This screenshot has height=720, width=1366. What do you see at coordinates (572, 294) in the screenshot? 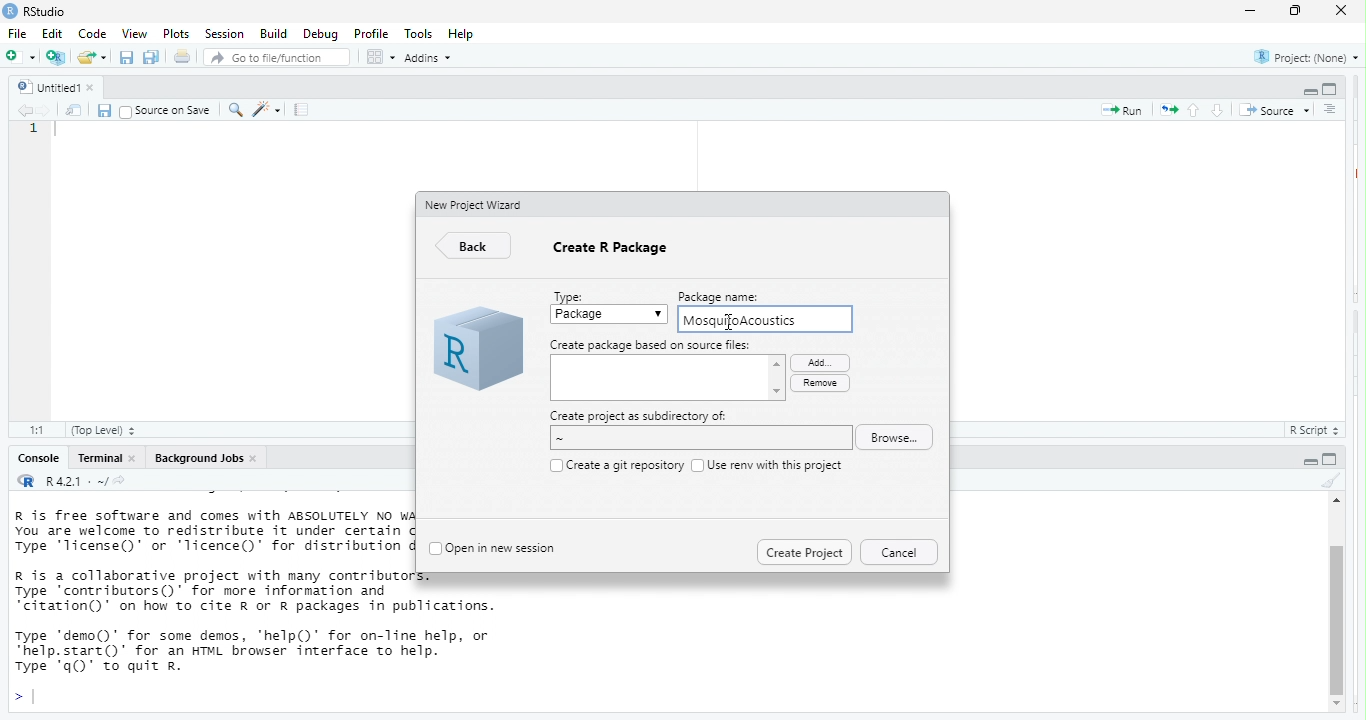
I see `Type` at bounding box center [572, 294].